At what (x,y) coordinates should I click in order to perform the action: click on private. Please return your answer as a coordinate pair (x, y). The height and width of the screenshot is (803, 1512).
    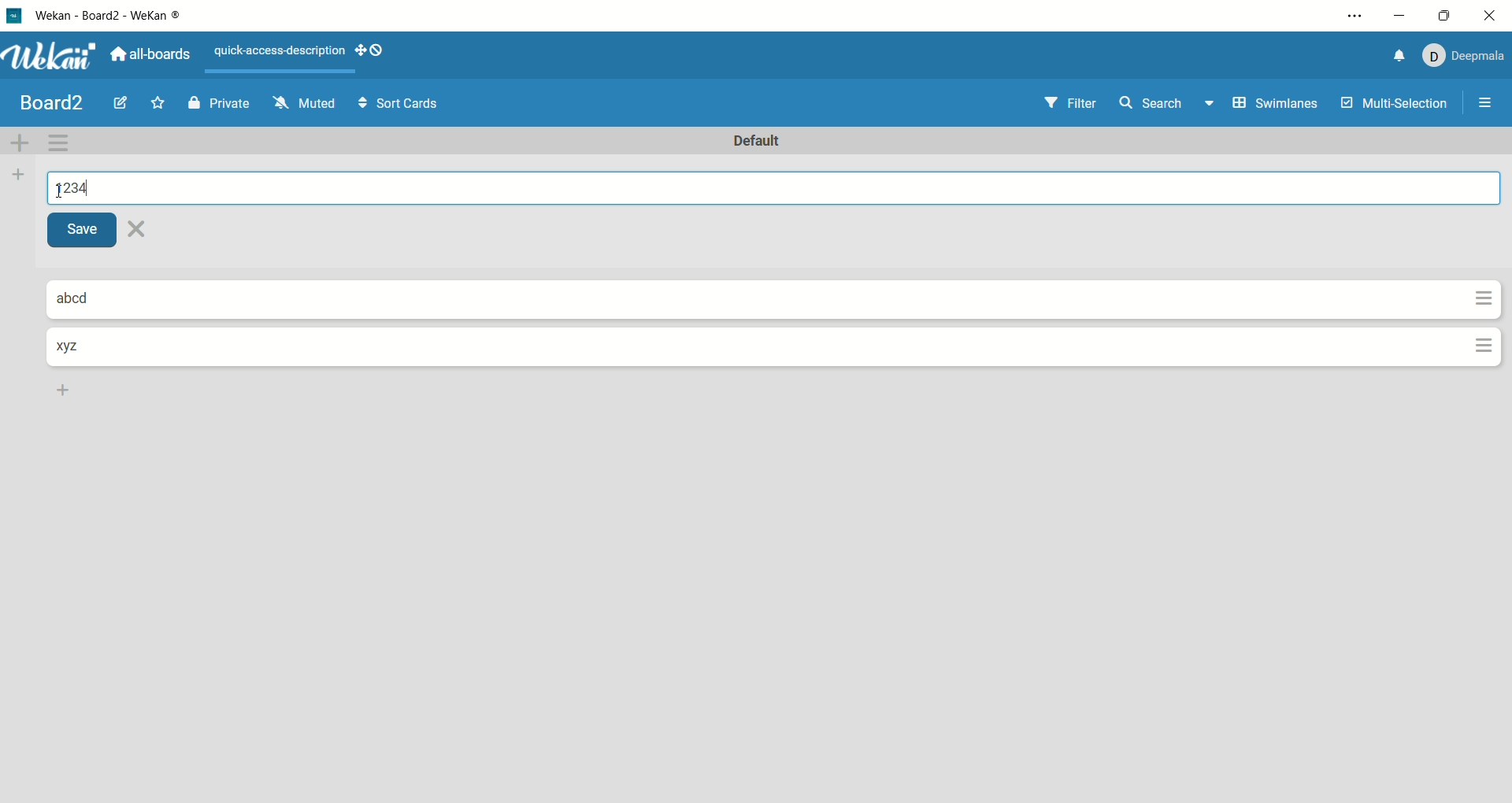
    Looking at the image, I should click on (220, 102).